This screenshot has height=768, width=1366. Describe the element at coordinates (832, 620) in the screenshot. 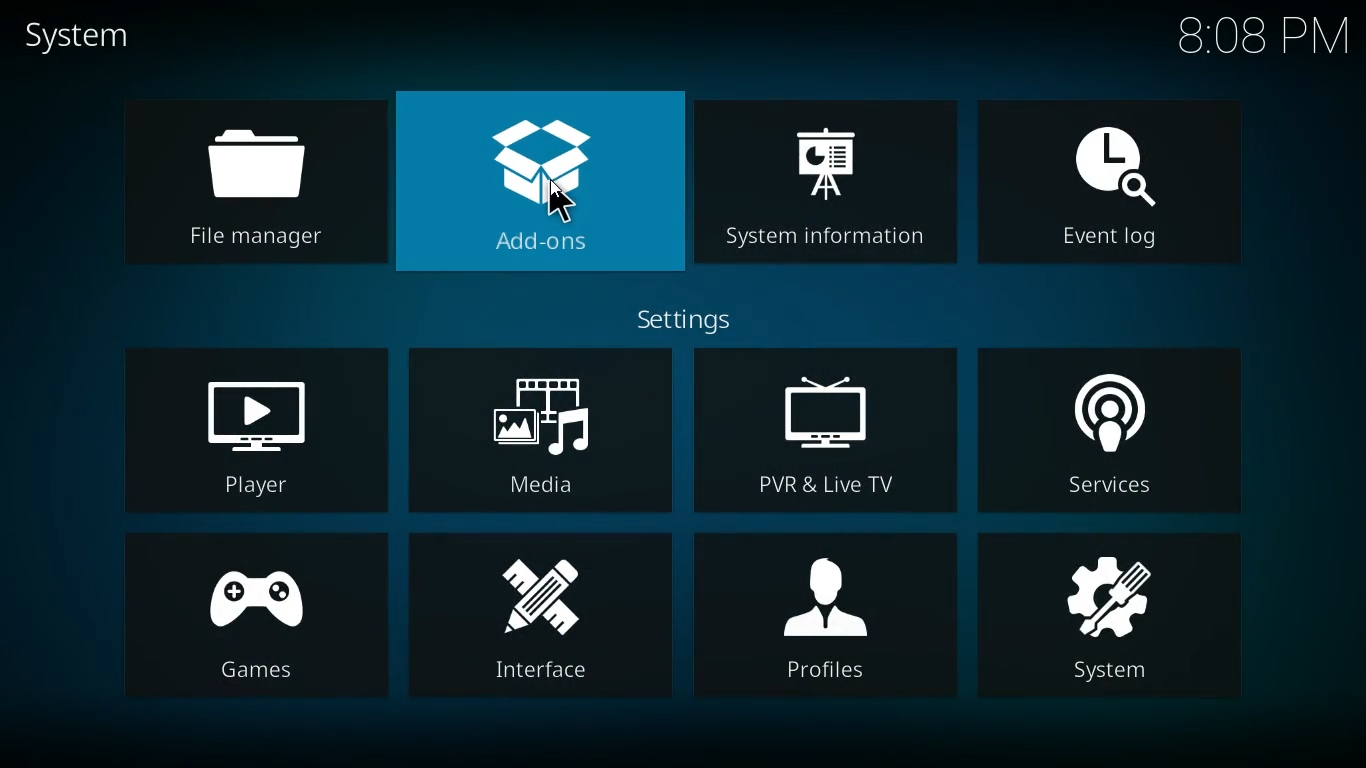

I see `profiles` at that location.